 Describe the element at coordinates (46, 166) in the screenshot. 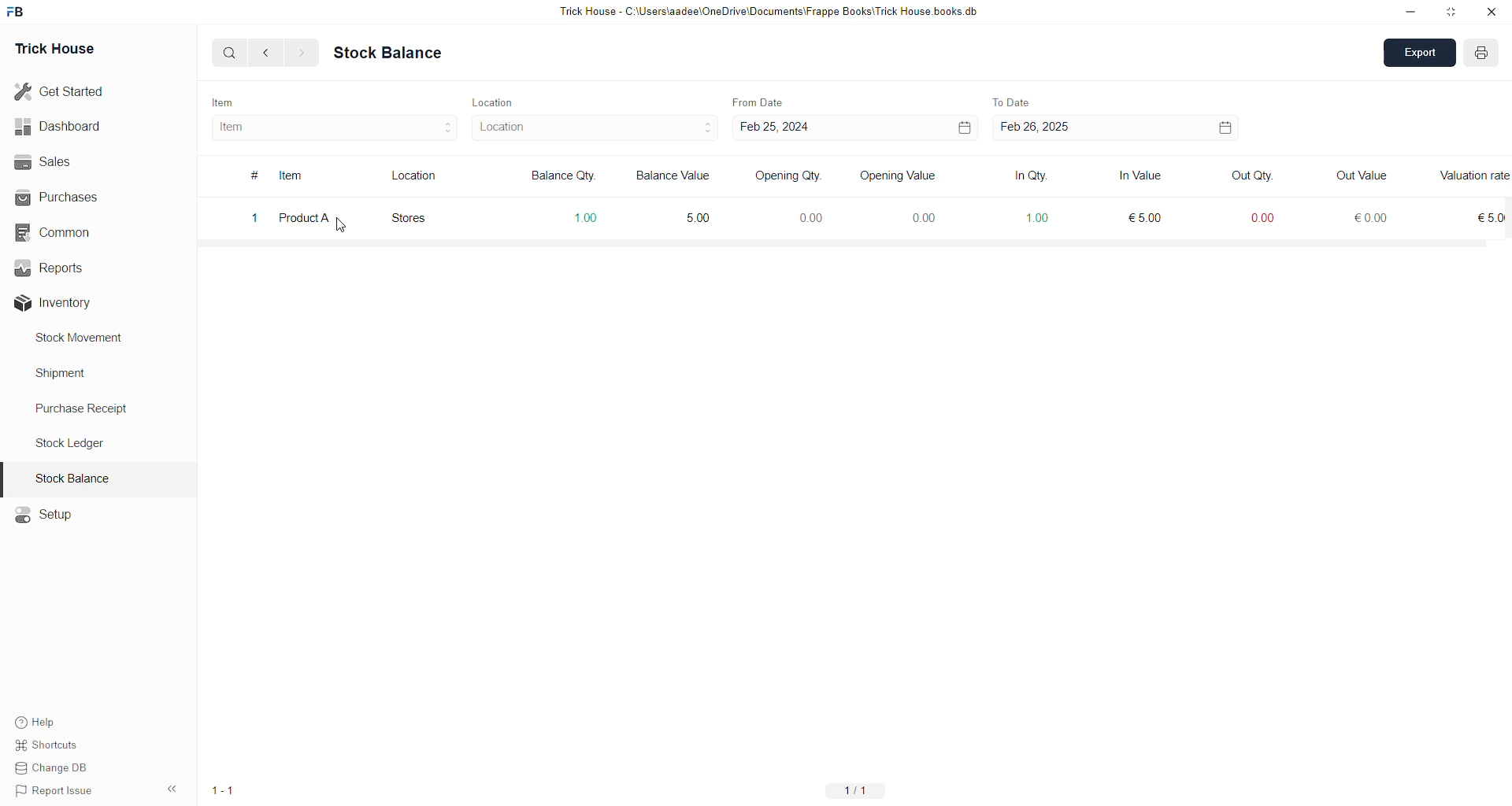

I see `Sales` at that location.